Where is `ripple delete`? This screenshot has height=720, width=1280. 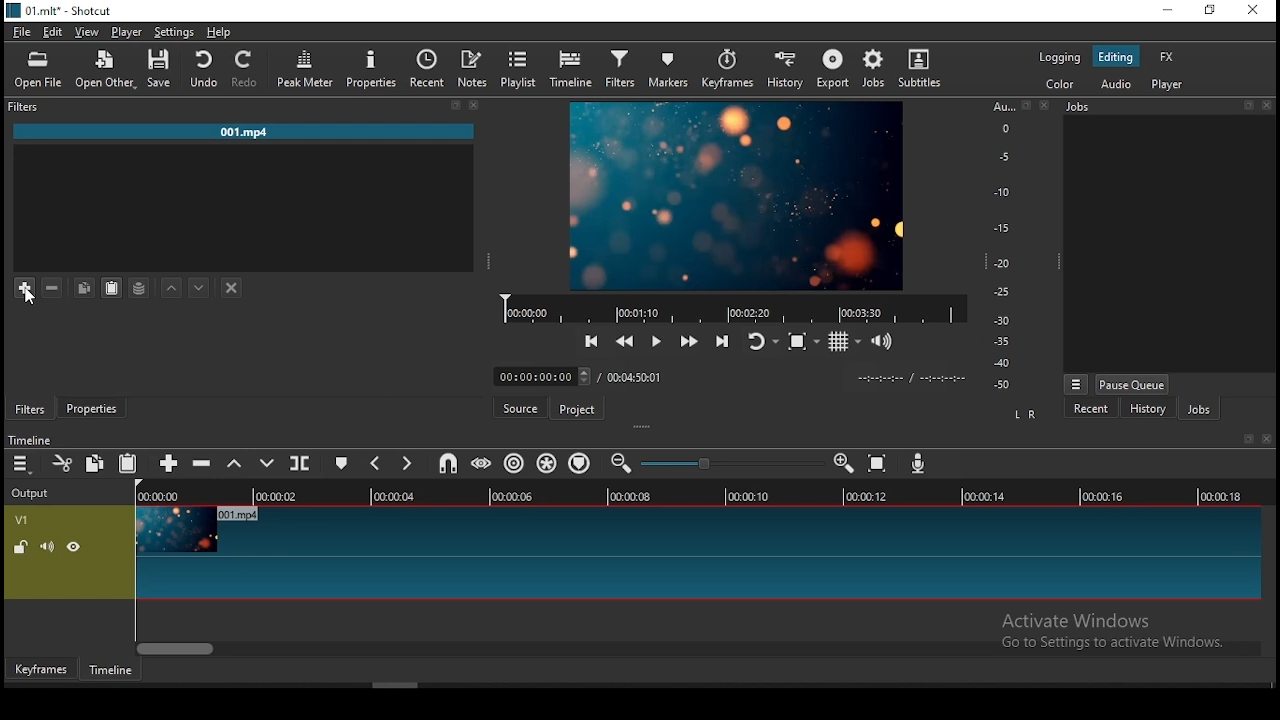 ripple delete is located at coordinates (203, 464).